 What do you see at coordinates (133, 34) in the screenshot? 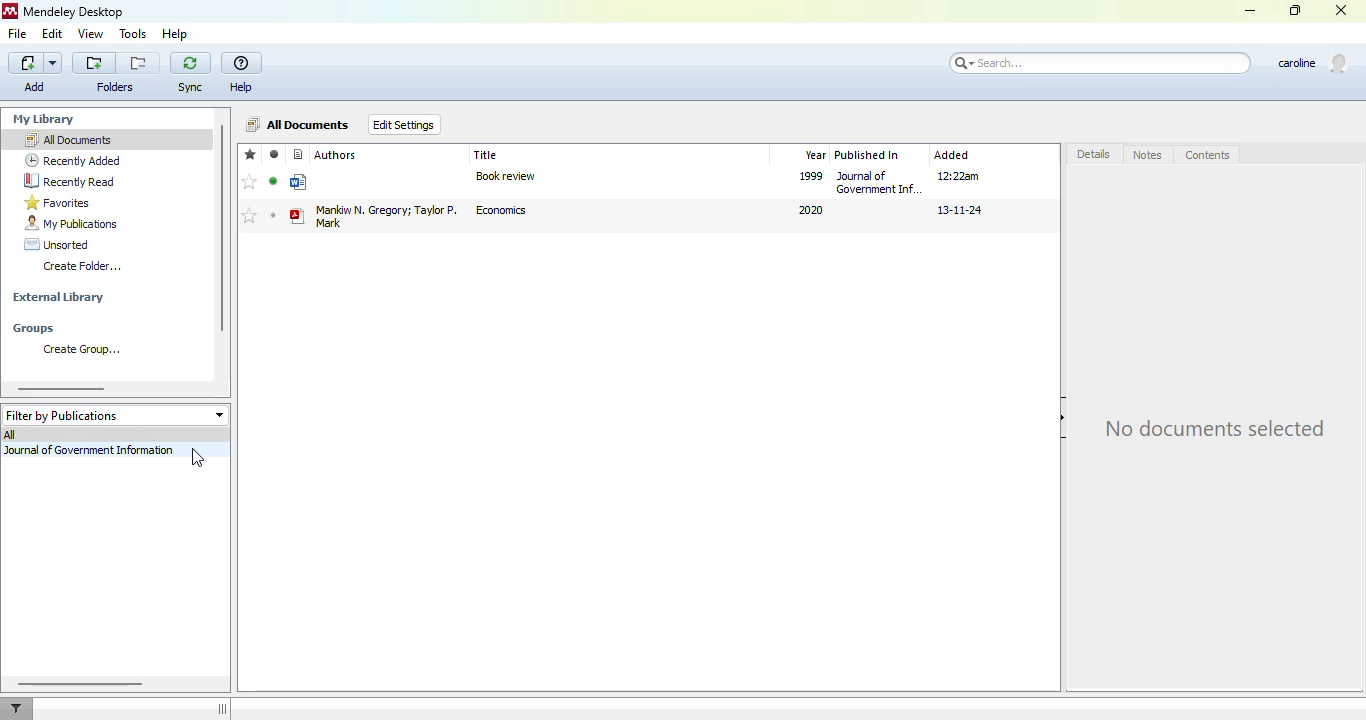
I see `tools` at bounding box center [133, 34].